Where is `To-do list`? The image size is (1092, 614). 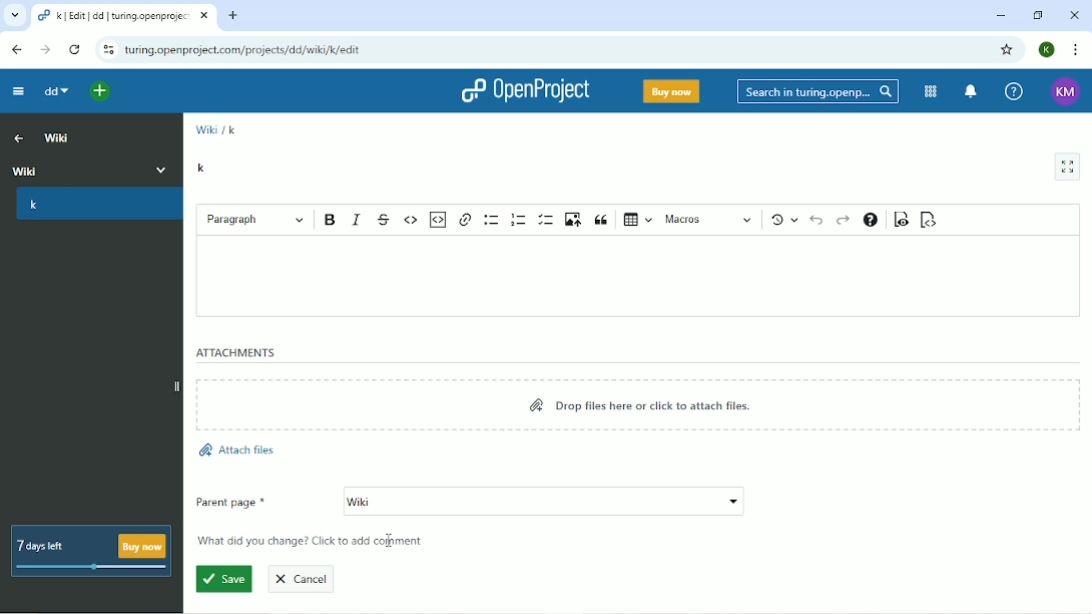 To-do list is located at coordinates (546, 219).